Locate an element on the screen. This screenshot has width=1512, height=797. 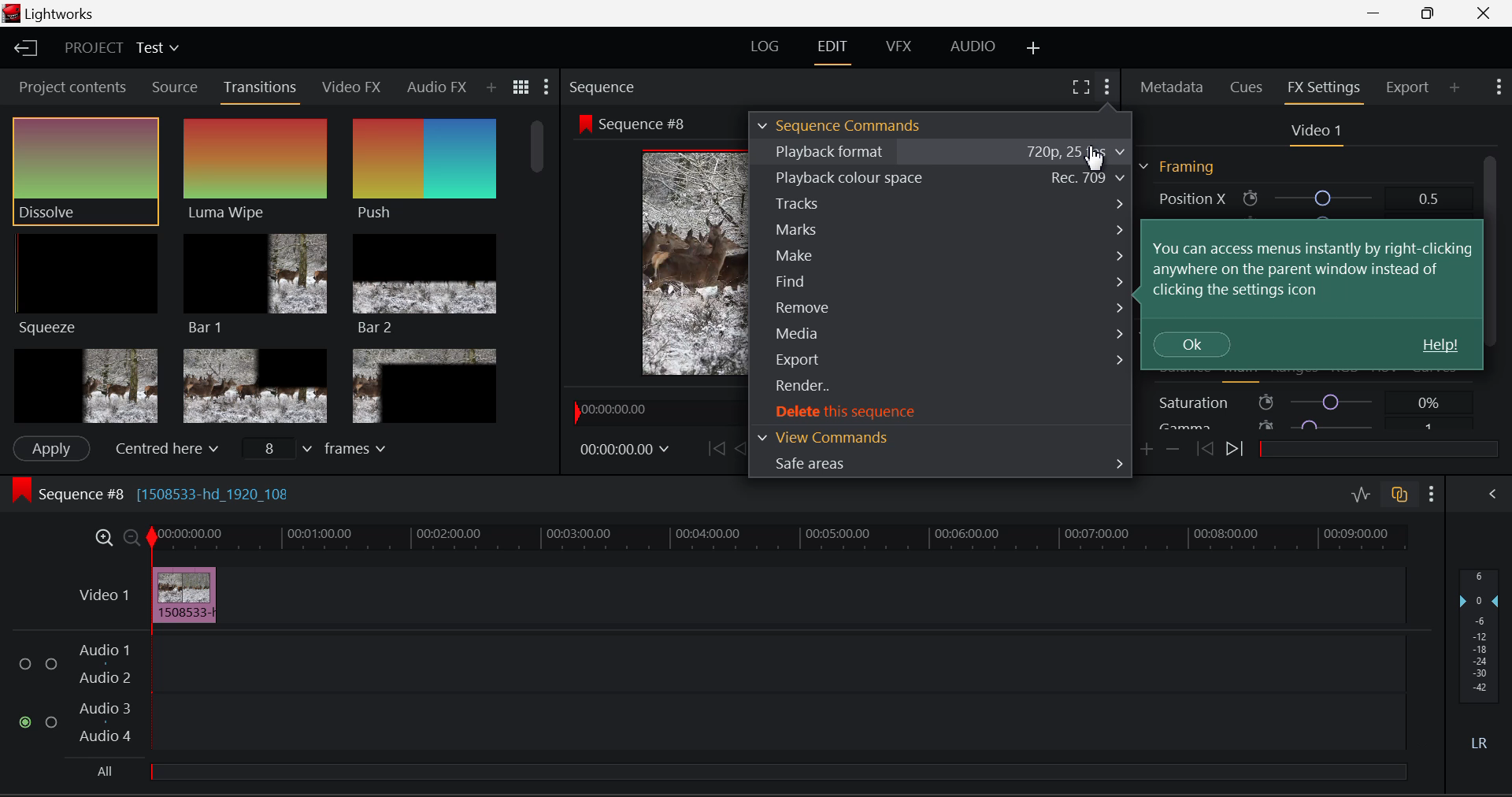
Project contents is located at coordinates (72, 86).